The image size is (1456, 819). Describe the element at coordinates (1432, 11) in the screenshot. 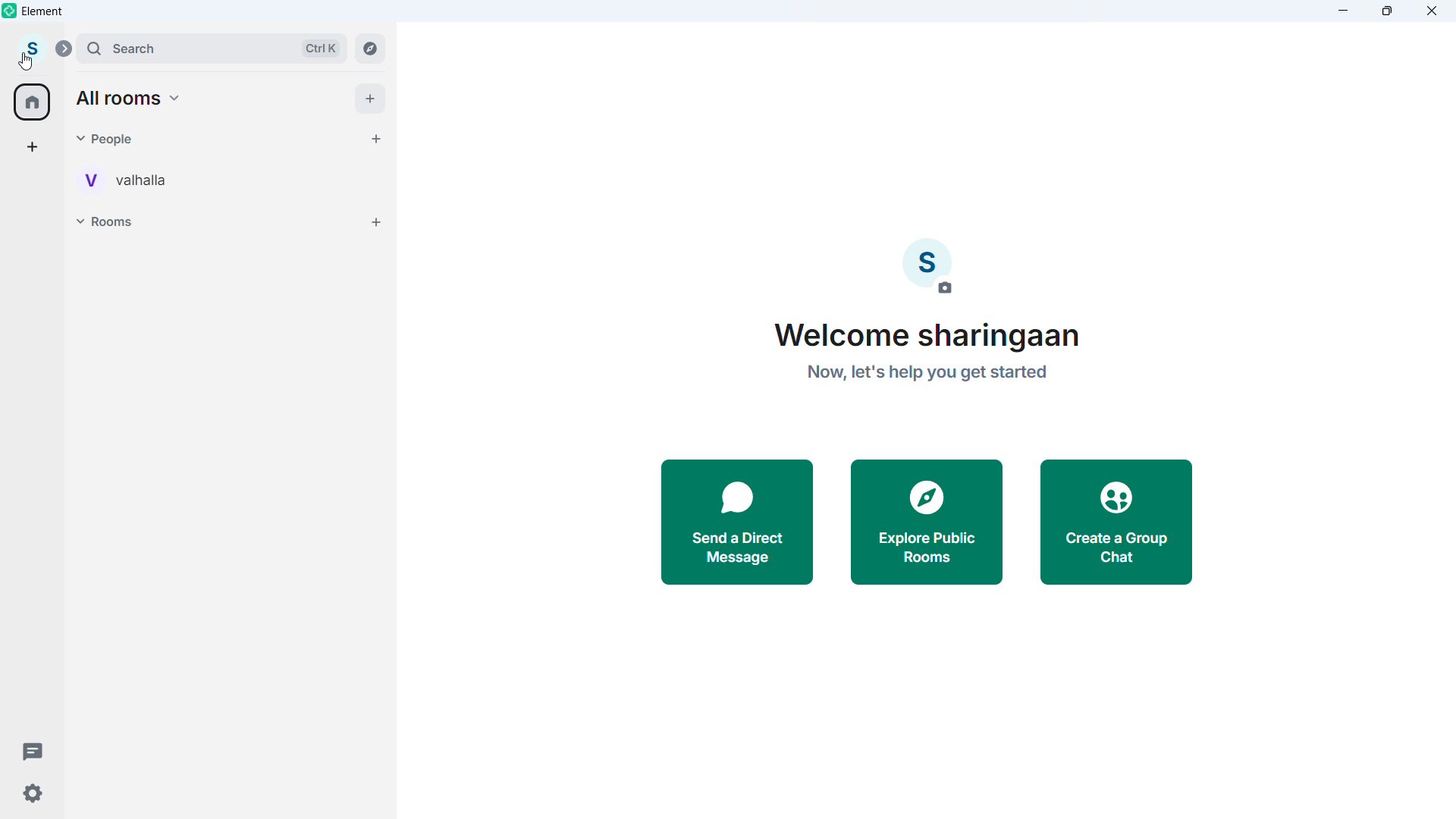

I see `Close ` at that location.